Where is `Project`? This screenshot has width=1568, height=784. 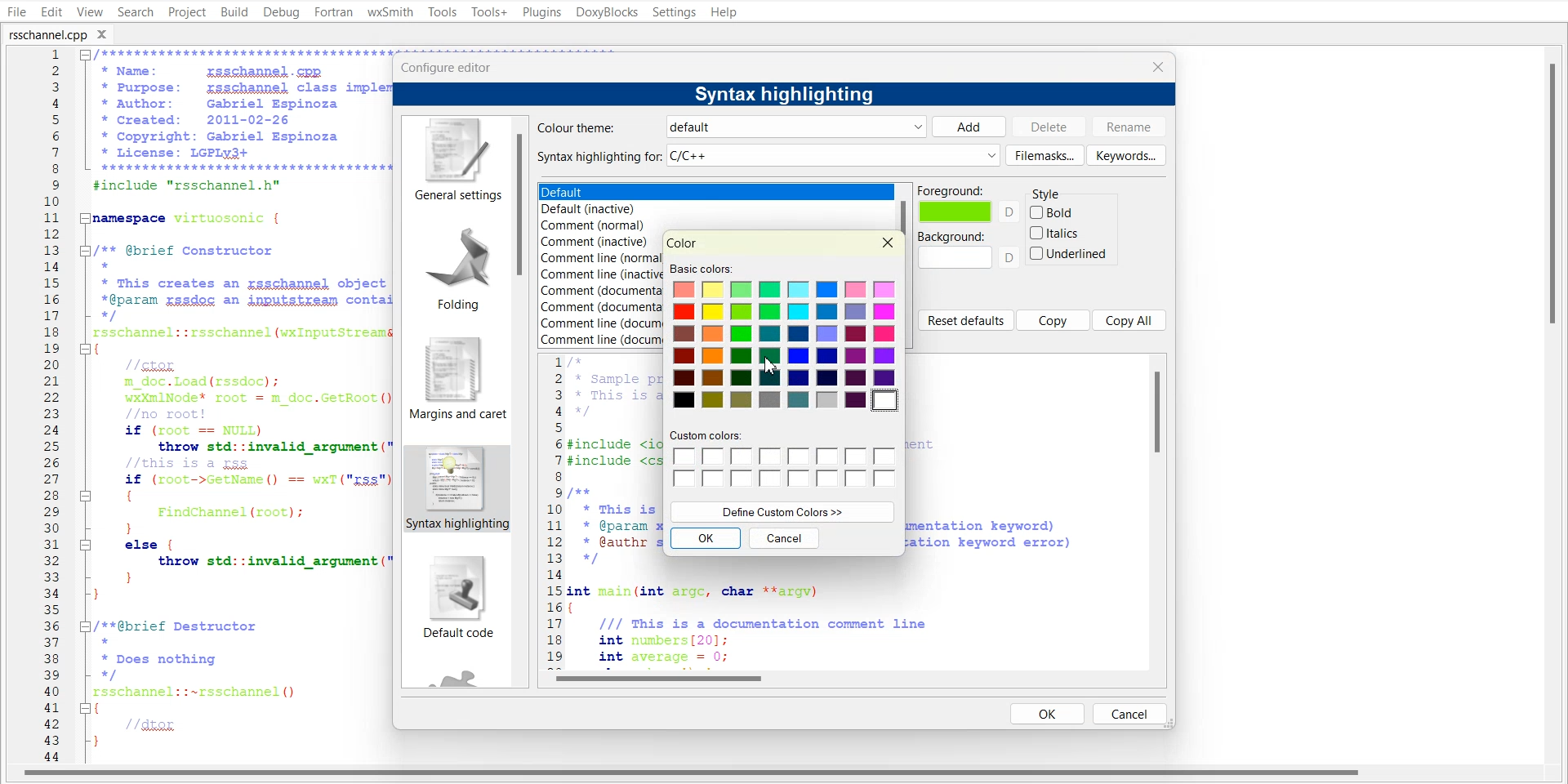
Project is located at coordinates (186, 11).